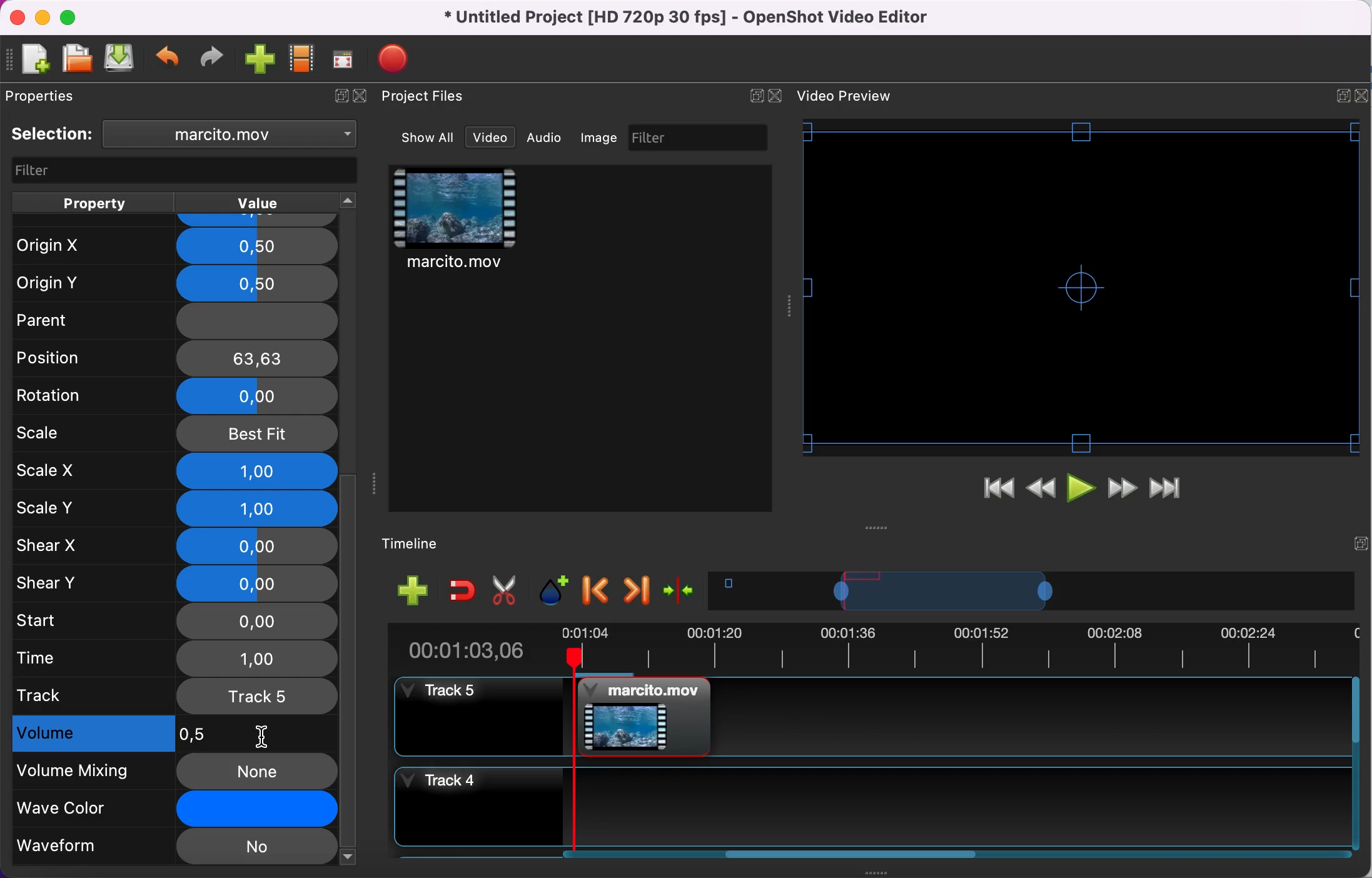  I want to click on Origin Y, so click(171, 284).